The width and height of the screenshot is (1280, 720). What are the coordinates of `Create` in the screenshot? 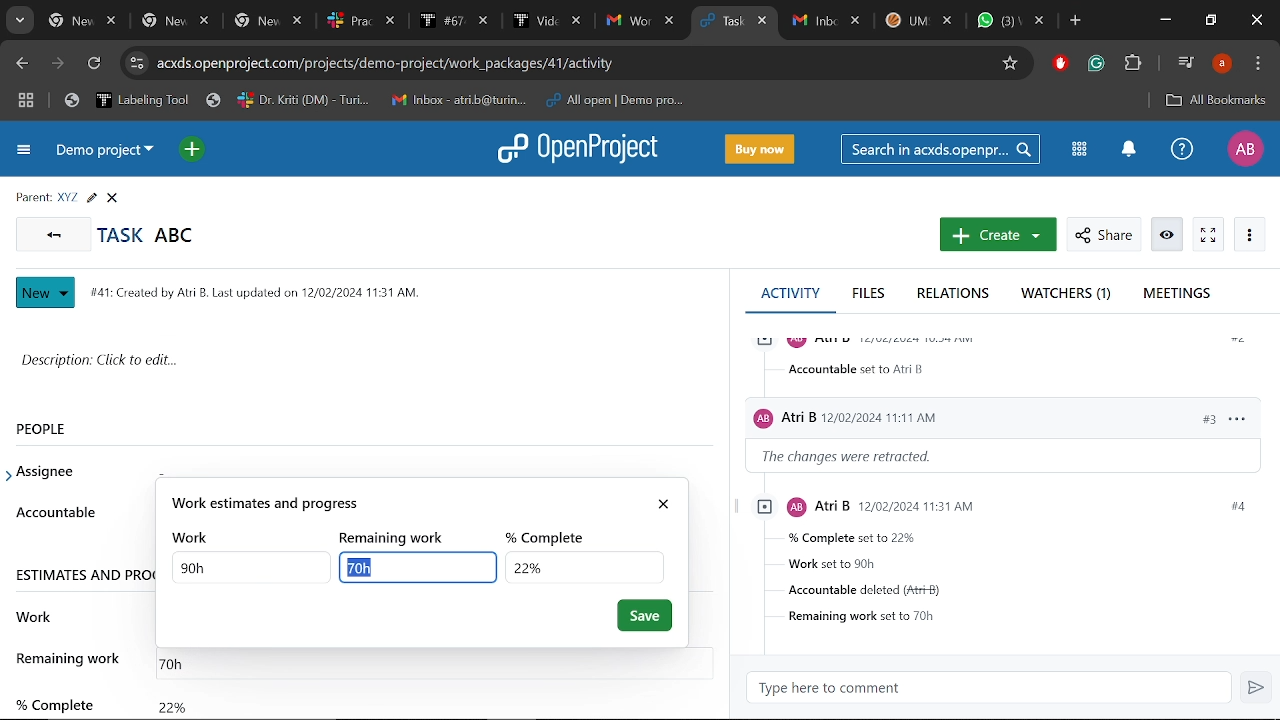 It's located at (995, 236).